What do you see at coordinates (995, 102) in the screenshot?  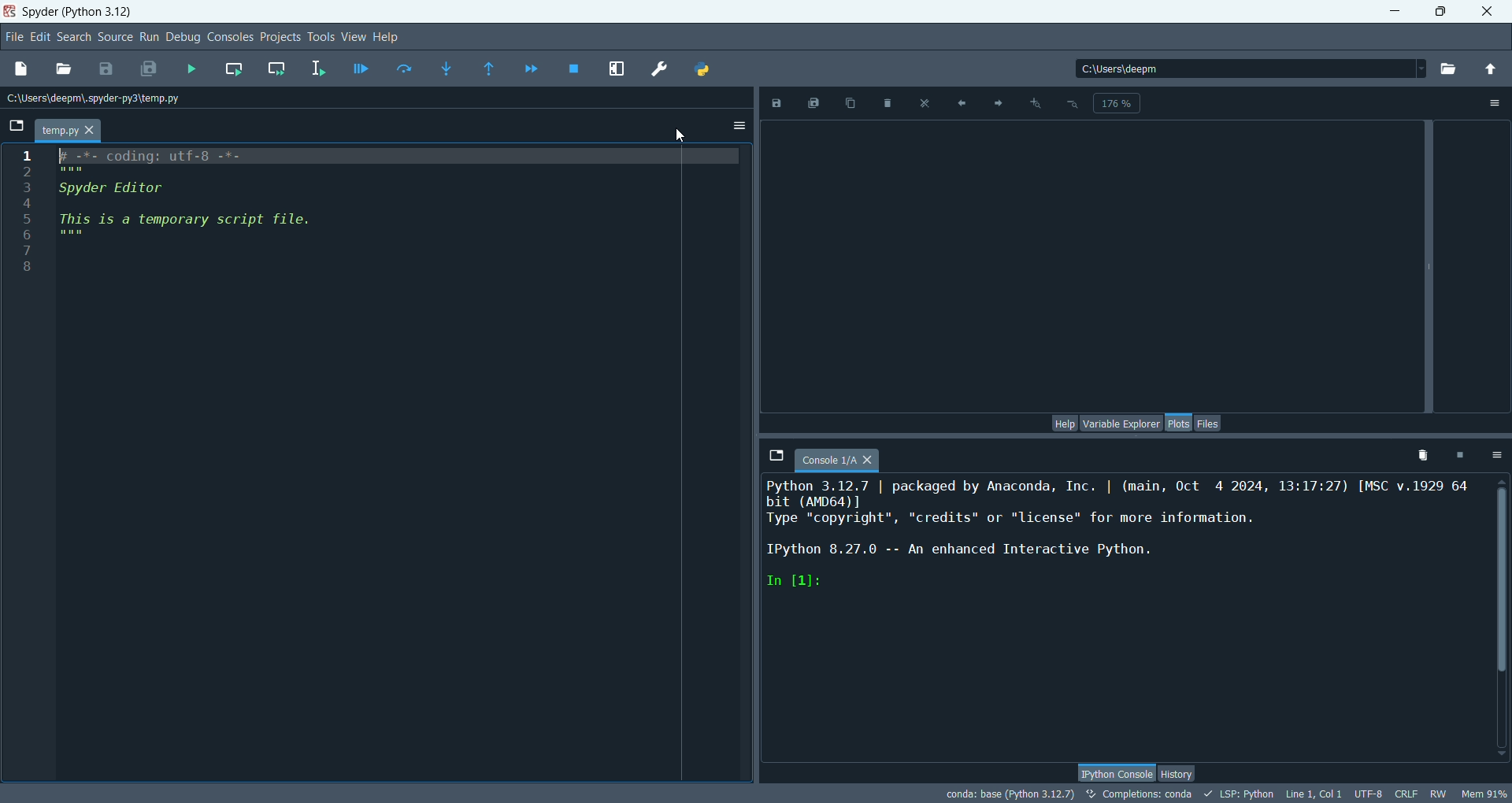 I see `next plot` at bounding box center [995, 102].